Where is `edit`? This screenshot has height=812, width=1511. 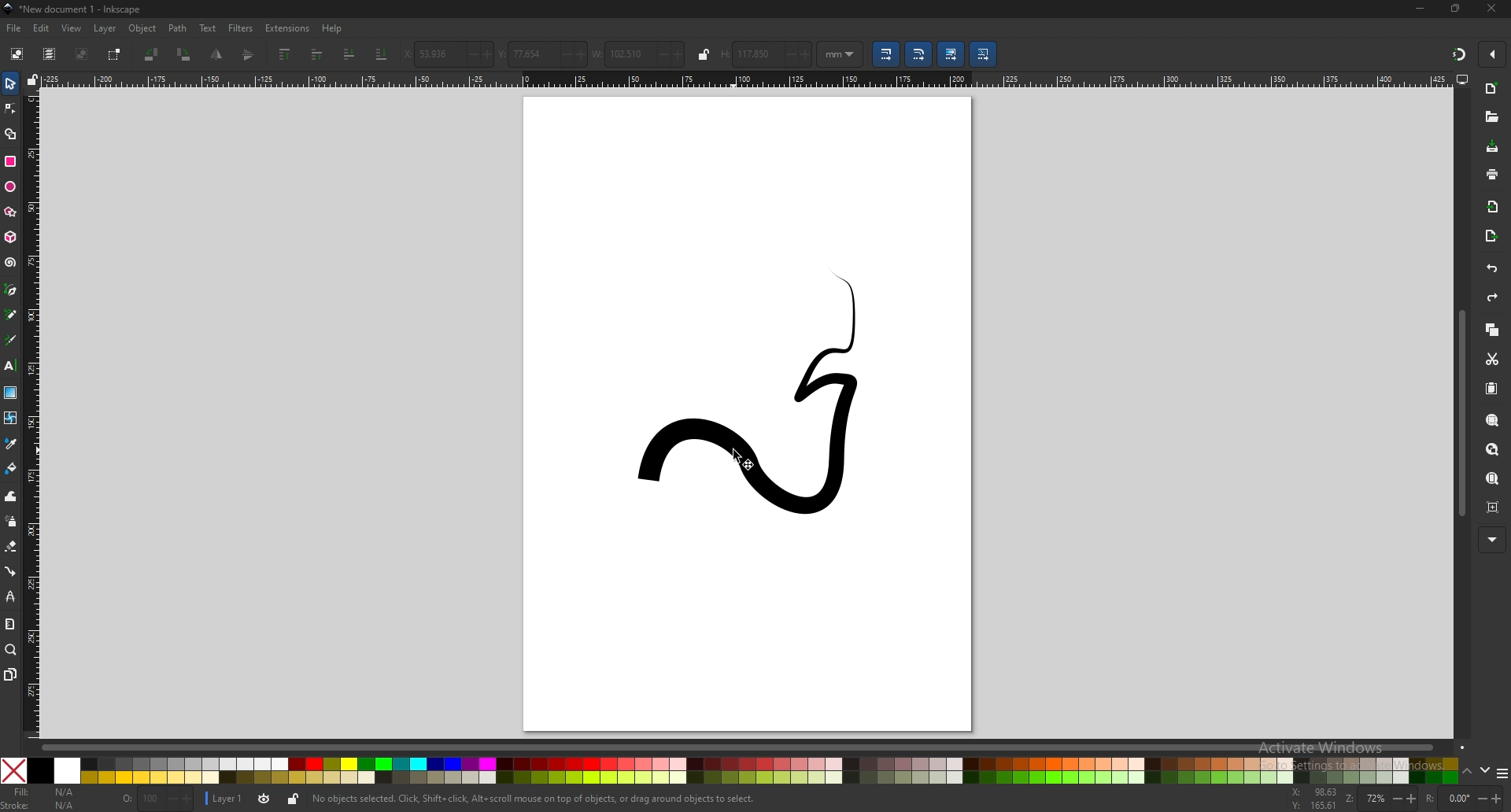 edit is located at coordinates (41, 28).